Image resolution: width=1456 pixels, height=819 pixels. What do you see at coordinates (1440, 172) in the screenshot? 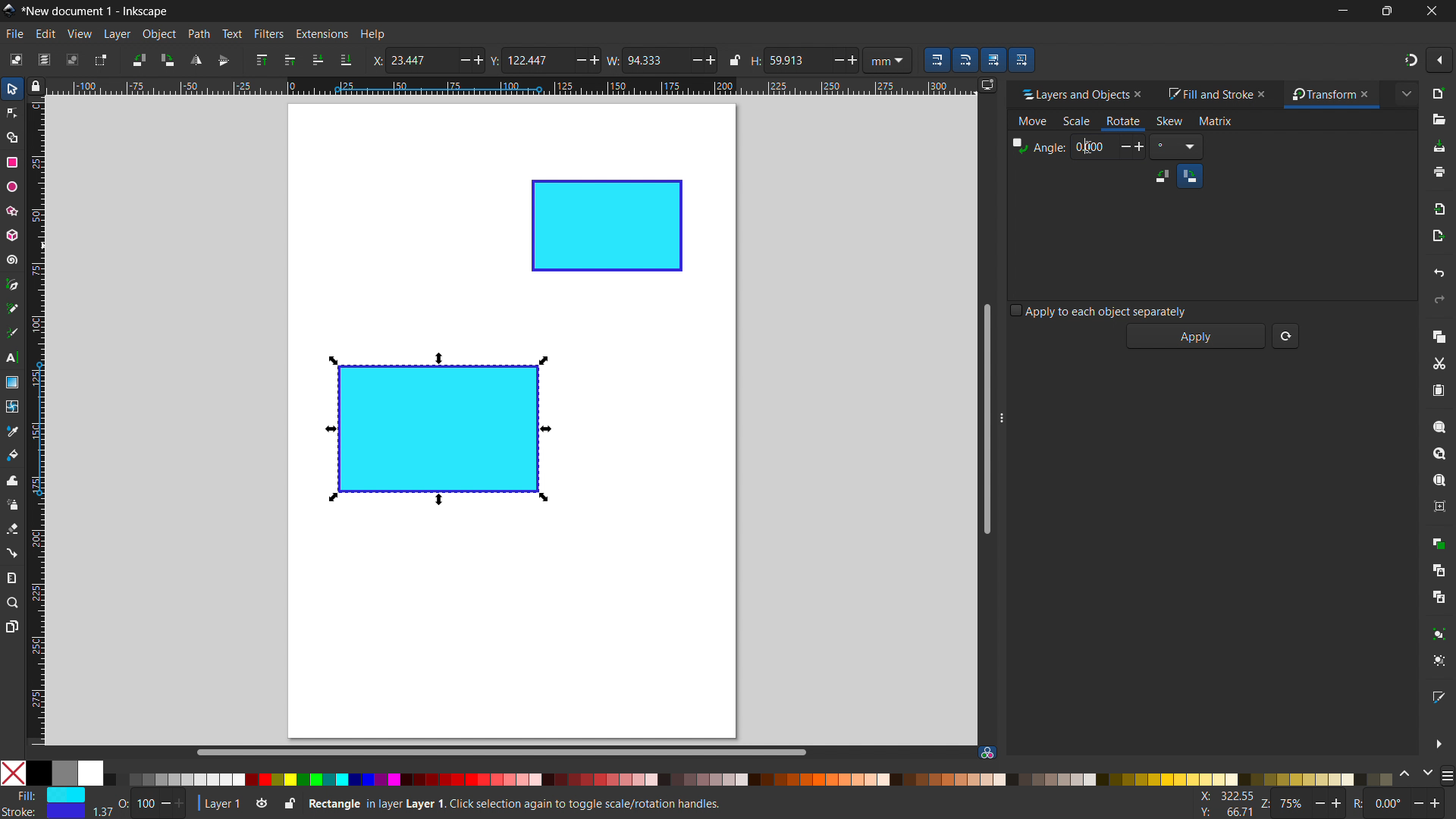
I see `print` at bounding box center [1440, 172].